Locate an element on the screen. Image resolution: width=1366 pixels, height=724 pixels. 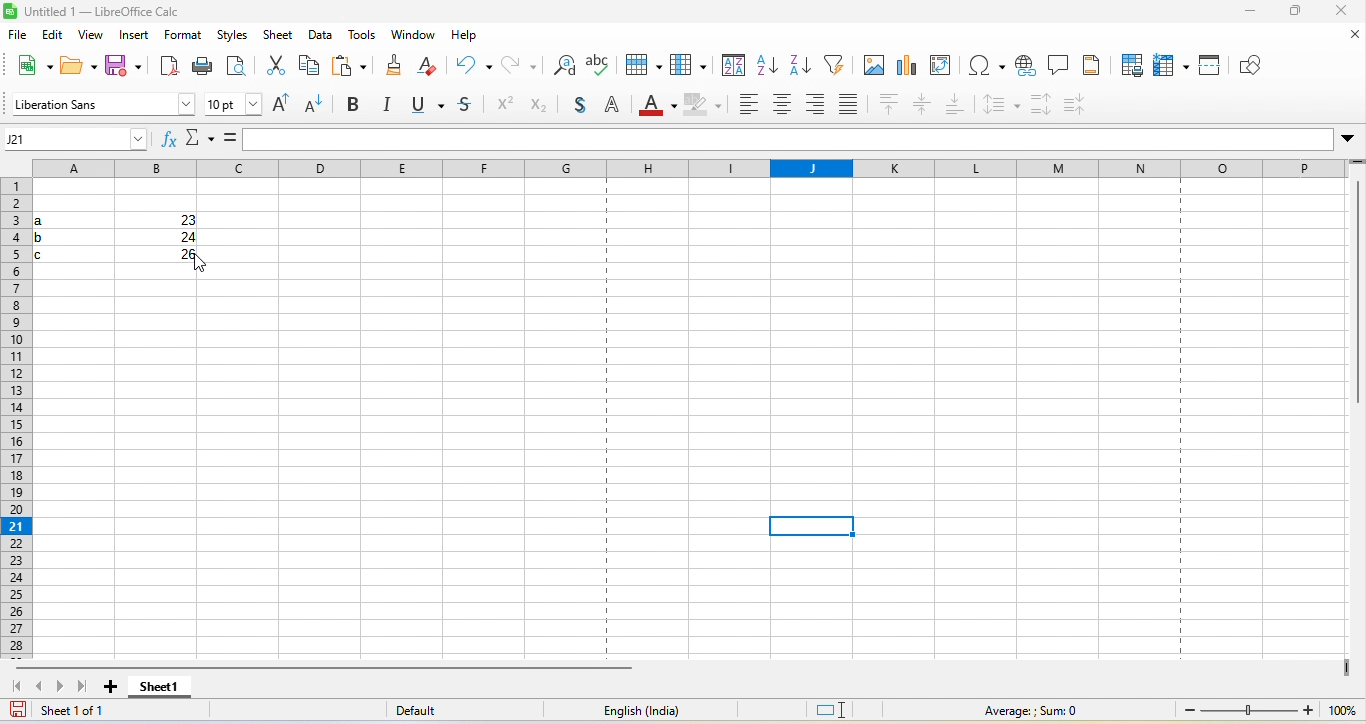
find and replace is located at coordinates (563, 66).